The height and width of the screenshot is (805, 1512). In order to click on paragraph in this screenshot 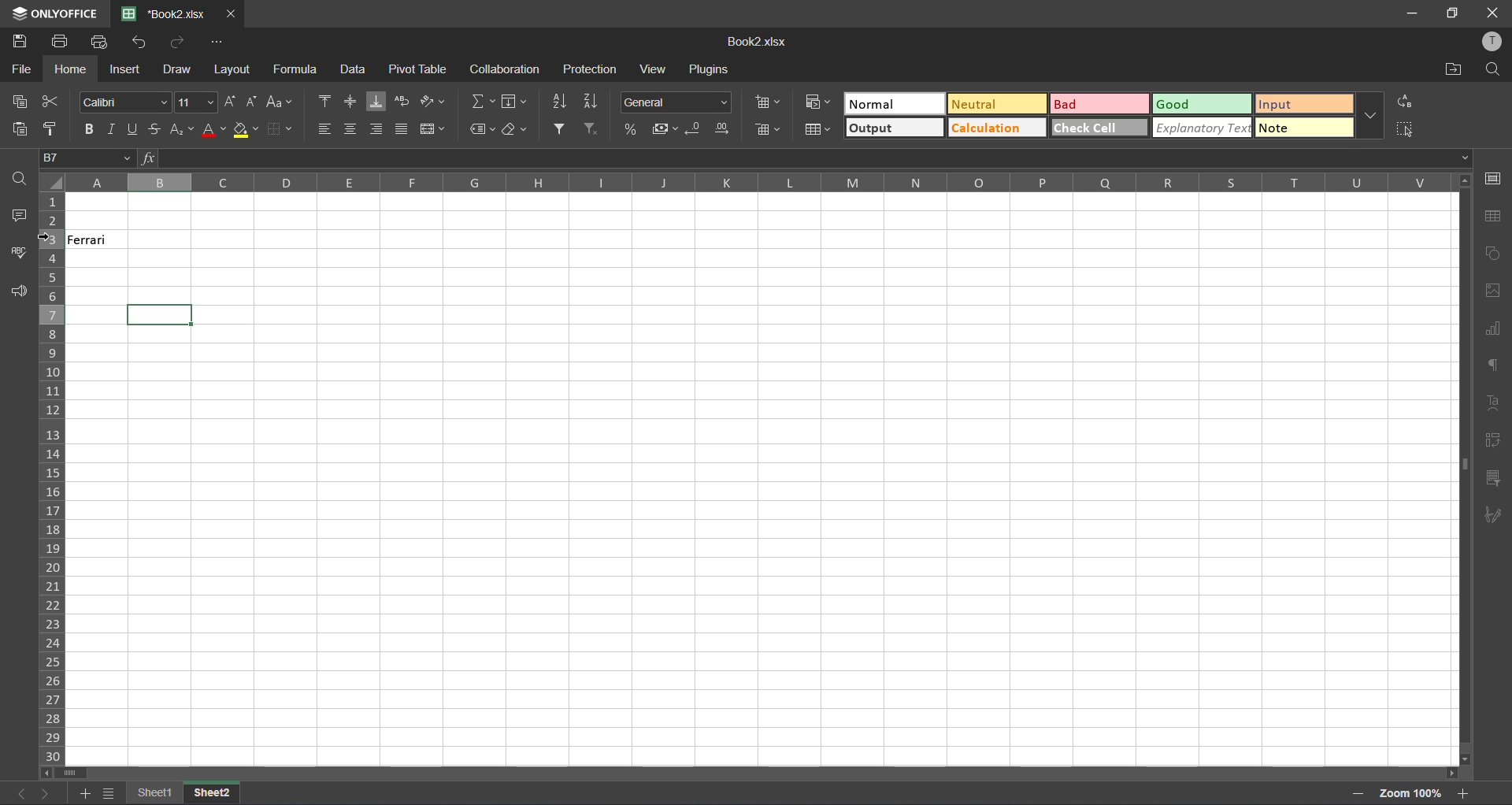, I will do `click(1494, 369)`.